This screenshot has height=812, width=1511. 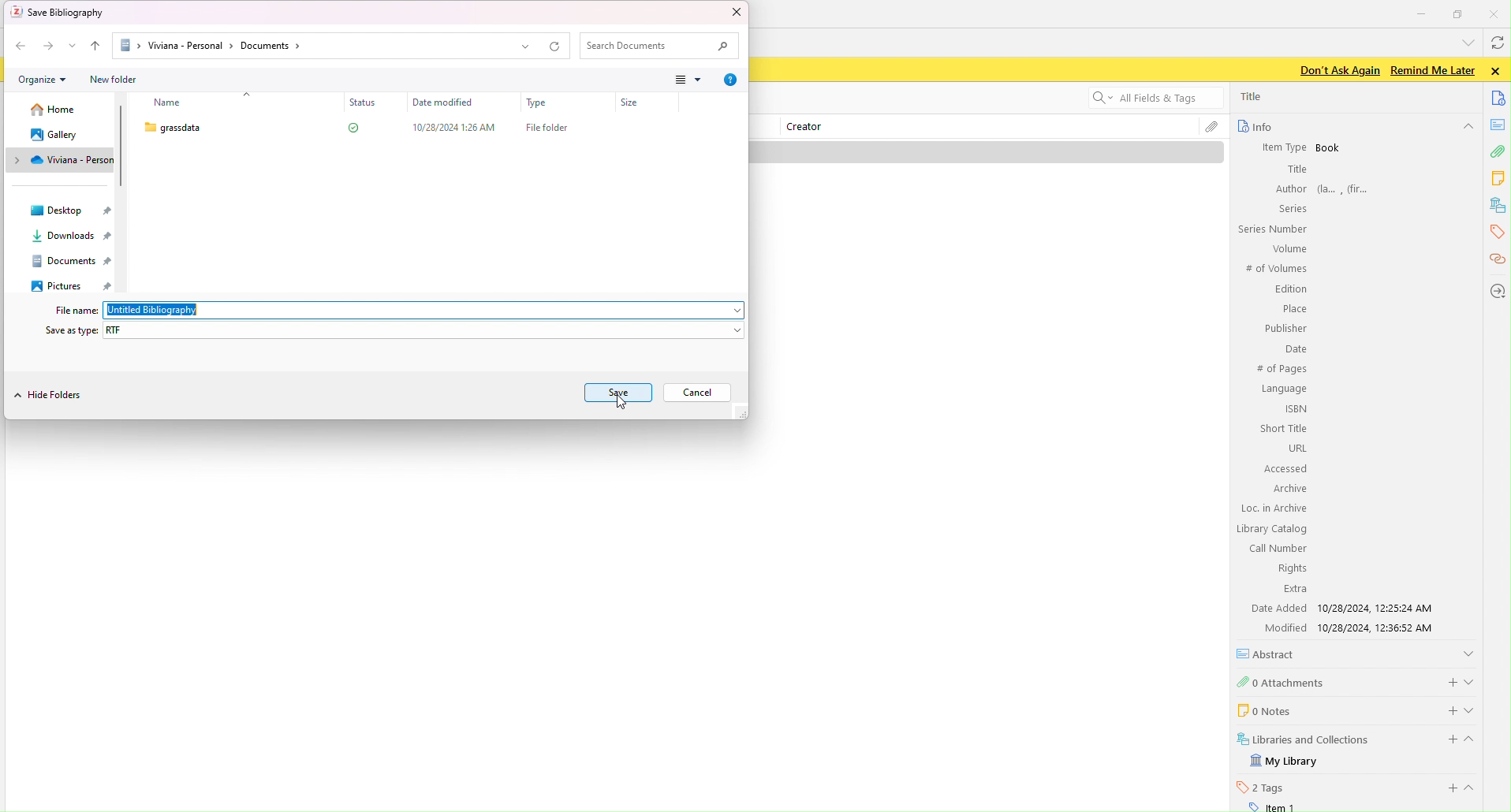 I want to click on File Name, so click(x=397, y=310).